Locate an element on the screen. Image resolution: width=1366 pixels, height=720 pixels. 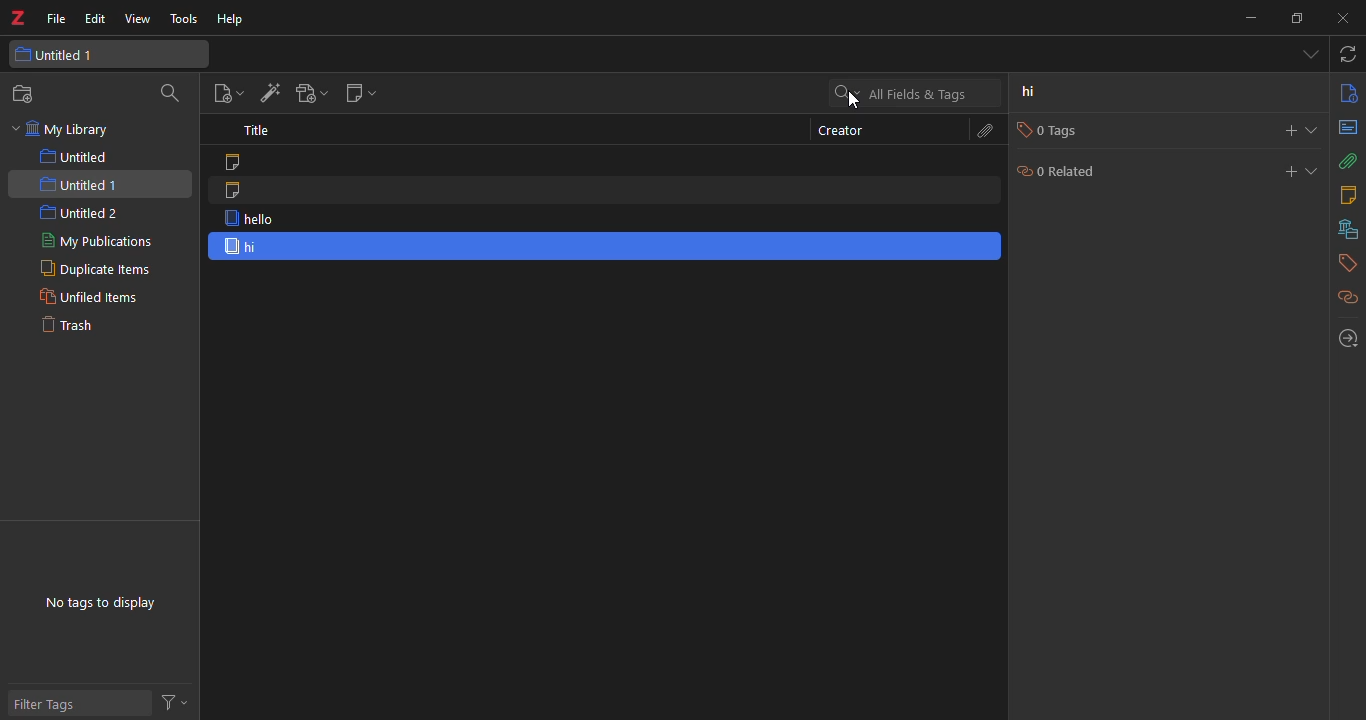
unfiled items is located at coordinates (90, 297).